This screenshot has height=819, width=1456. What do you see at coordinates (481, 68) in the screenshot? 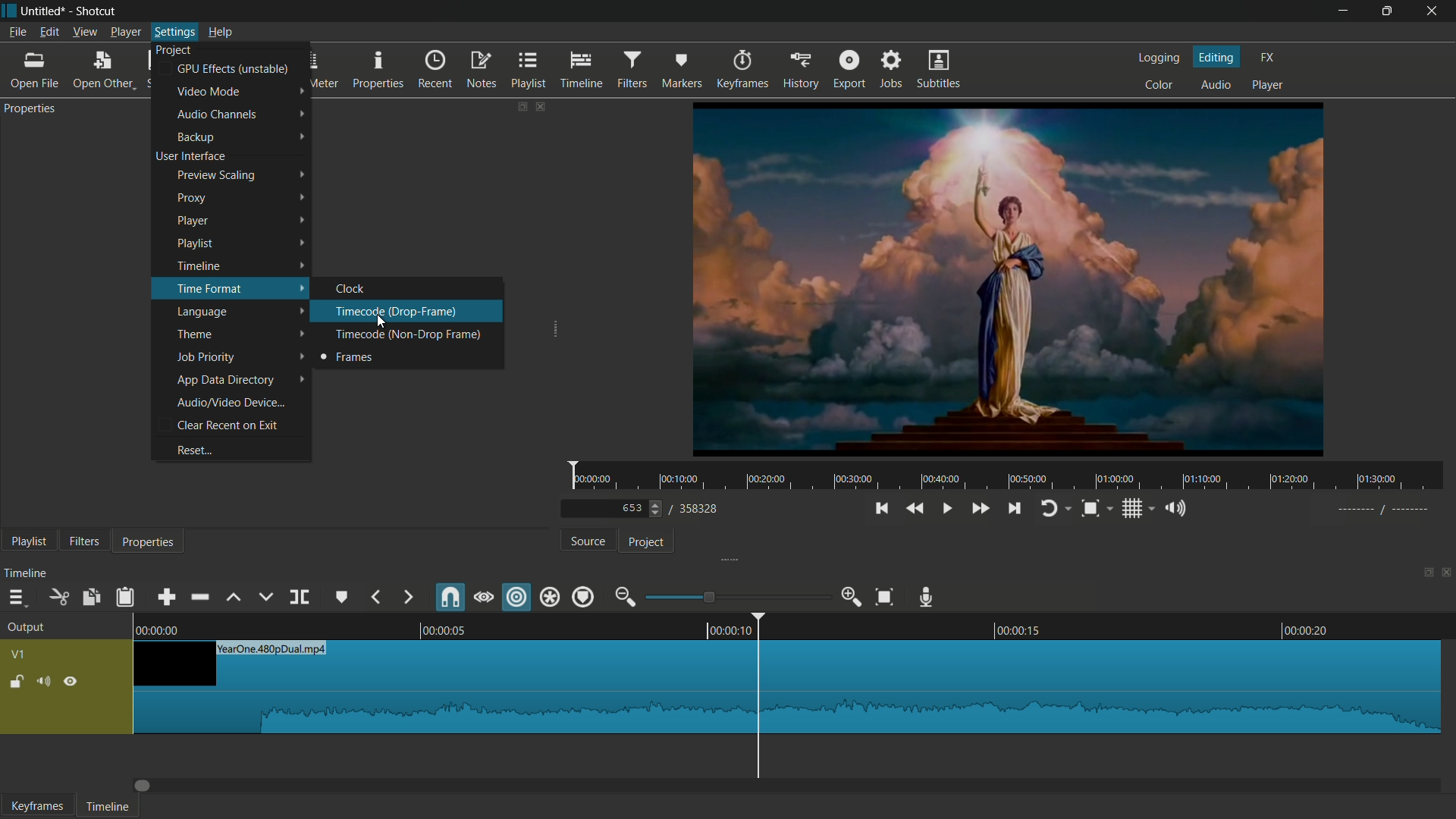
I see `notes` at bounding box center [481, 68].